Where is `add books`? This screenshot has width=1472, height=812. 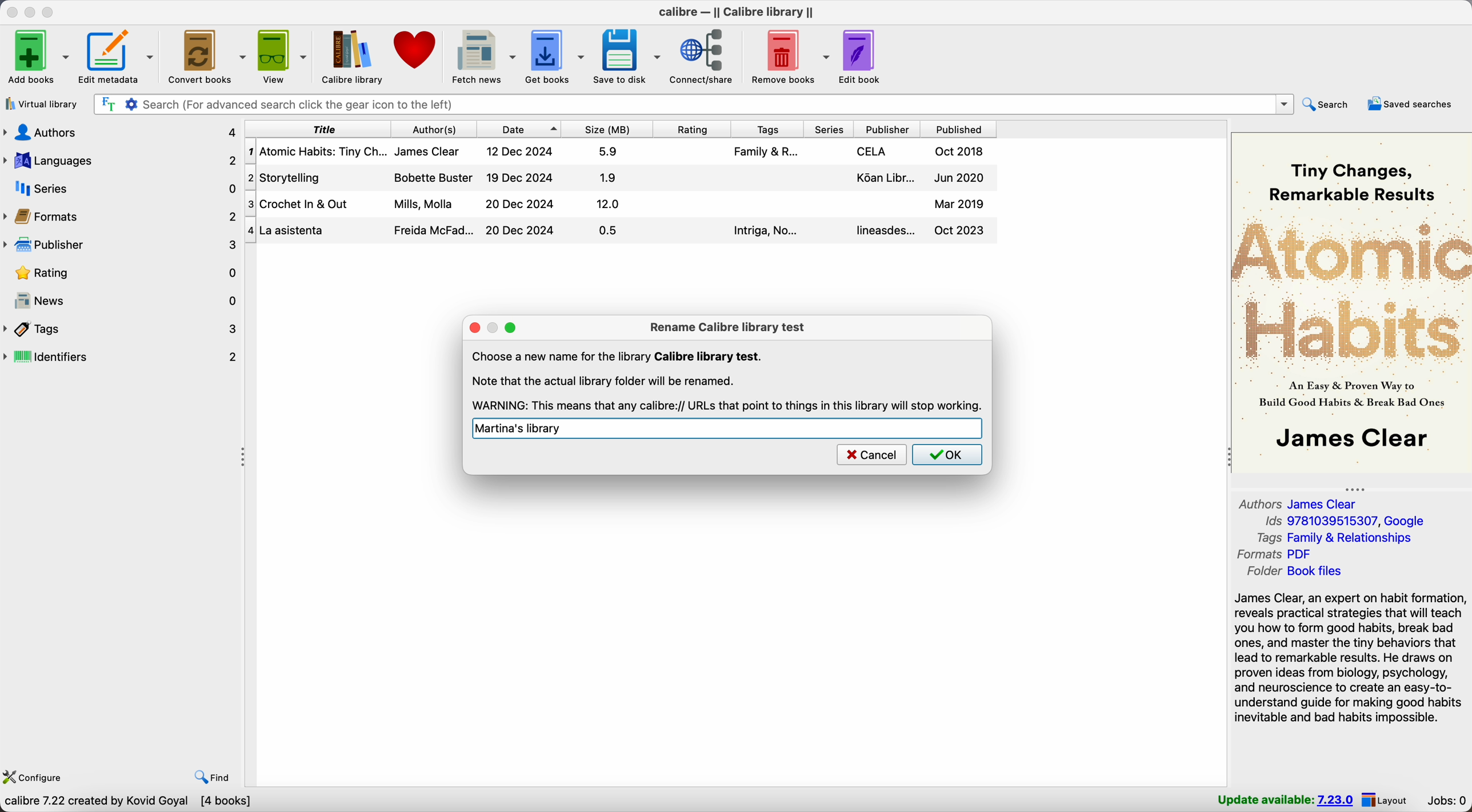
add books is located at coordinates (39, 57).